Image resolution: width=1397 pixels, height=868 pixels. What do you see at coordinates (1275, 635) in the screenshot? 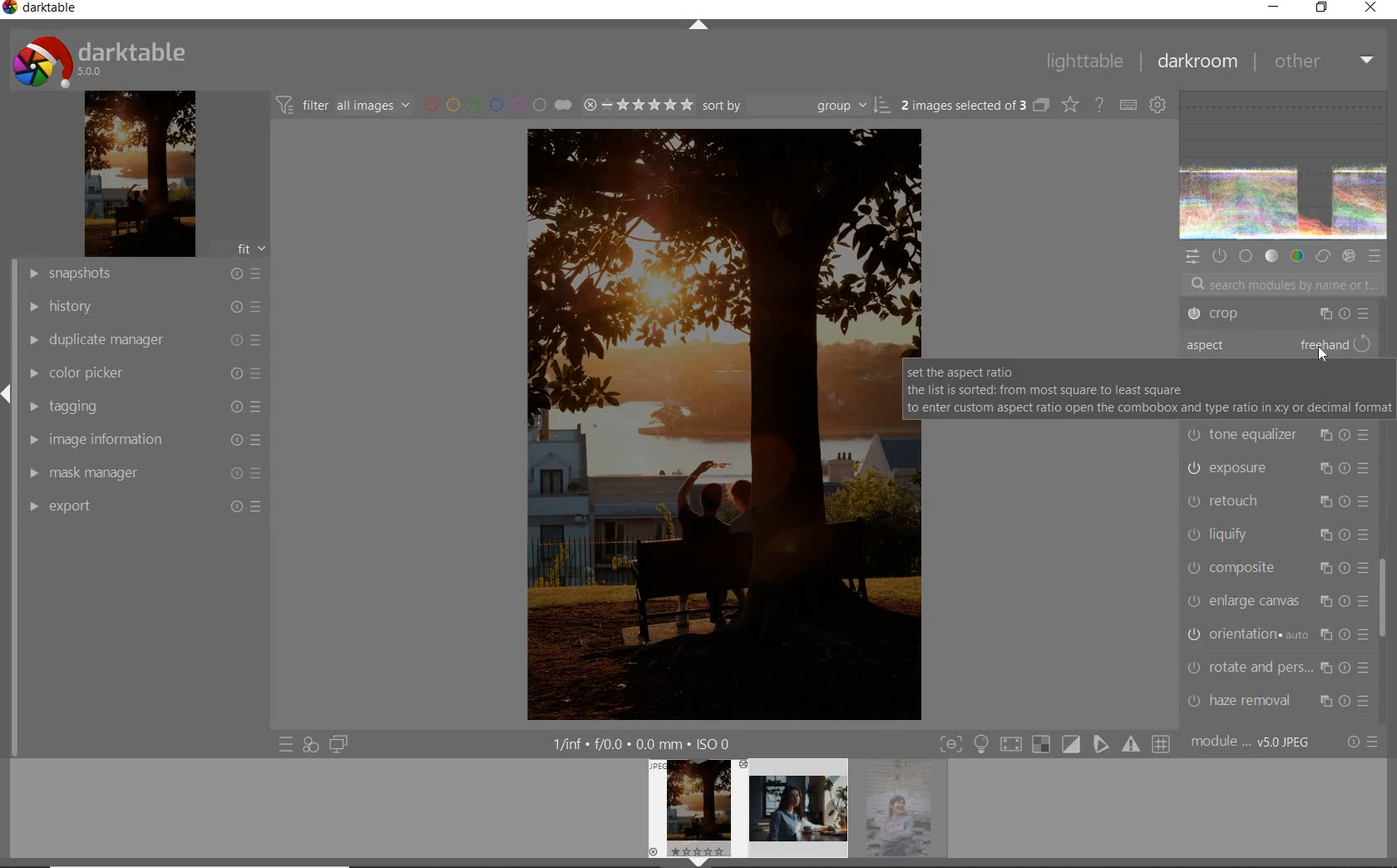
I see `orientation` at bounding box center [1275, 635].